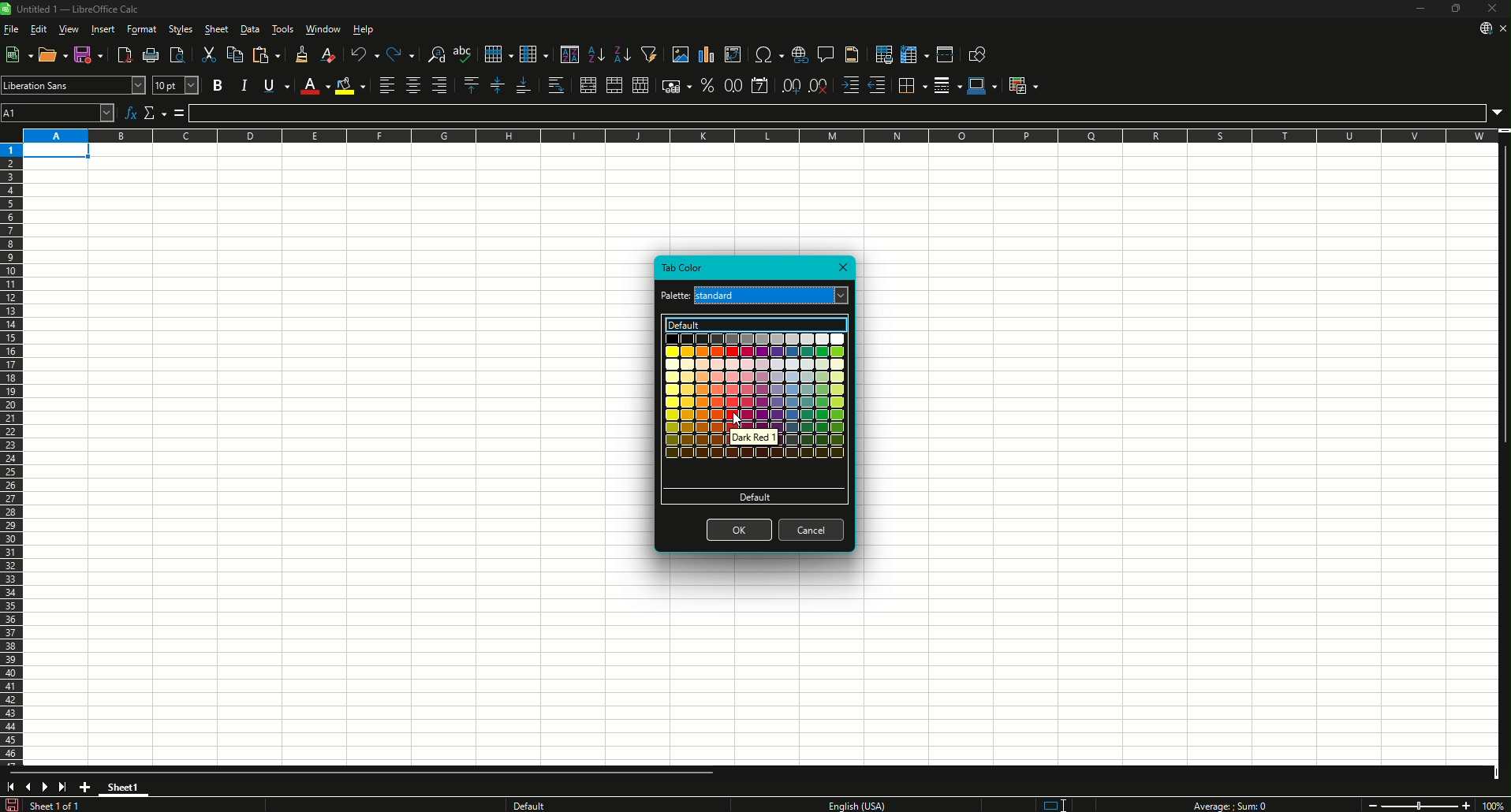 The image size is (1511, 812). What do you see at coordinates (1485, 28) in the screenshot?
I see `Download from web` at bounding box center [1485, 28].